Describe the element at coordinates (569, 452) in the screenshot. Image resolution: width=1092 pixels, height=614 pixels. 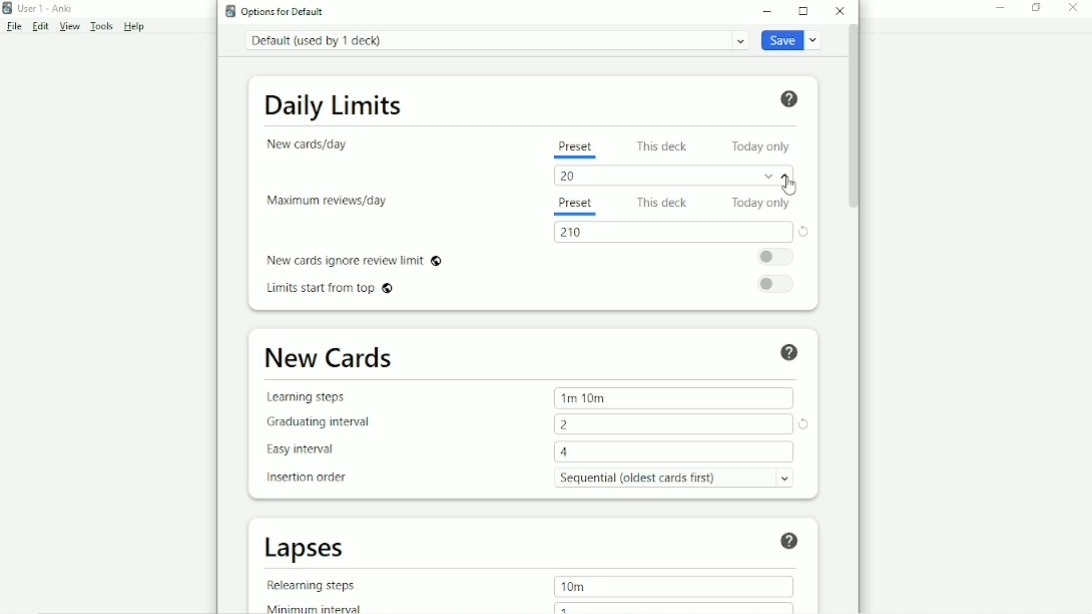
I see `4` at that location.